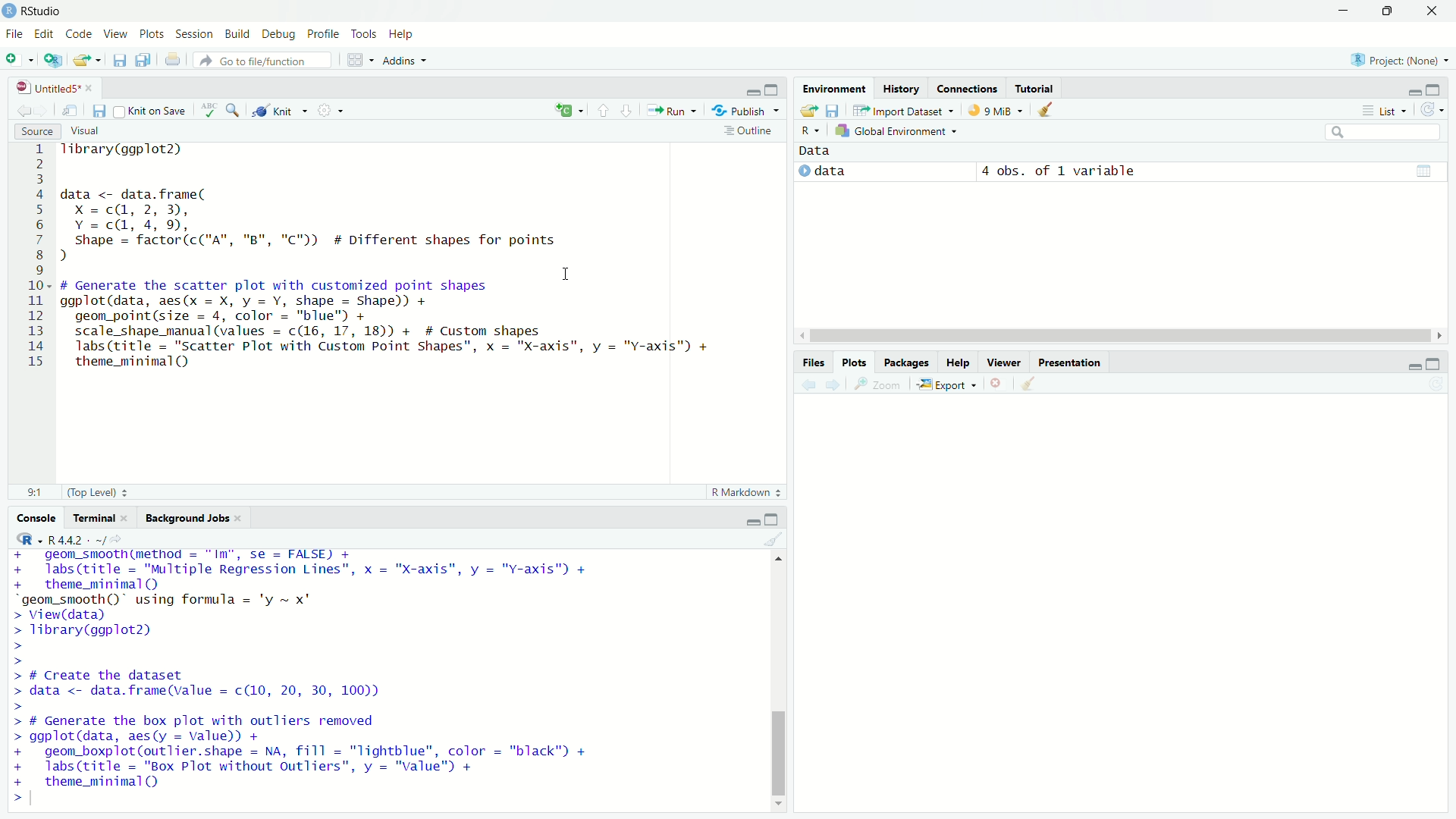  I want to click on Save workspace as, so click(832, 111).